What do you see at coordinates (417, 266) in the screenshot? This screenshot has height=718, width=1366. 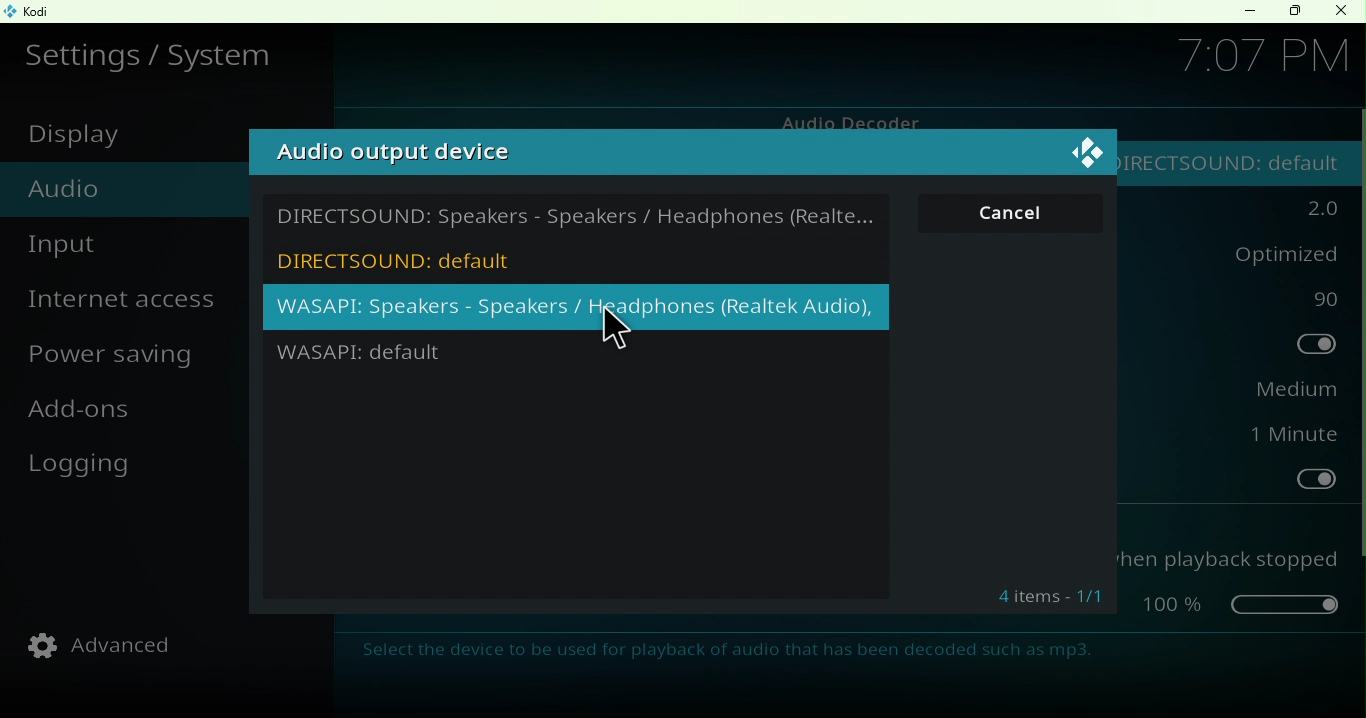 I see `DircectSound: default` at bounding box center [417, 266].